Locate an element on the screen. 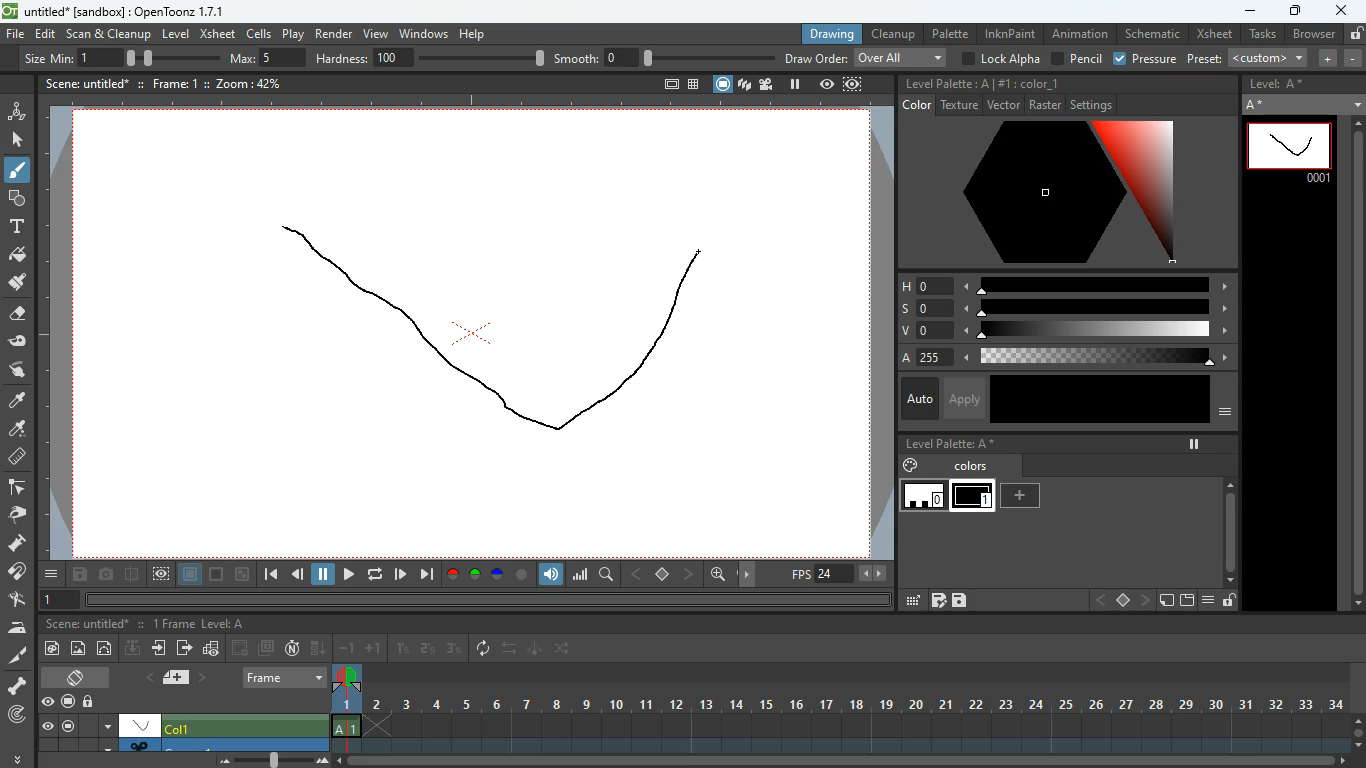 The image size is (1366, 768). frame0 is located at coordinates (924, 496).